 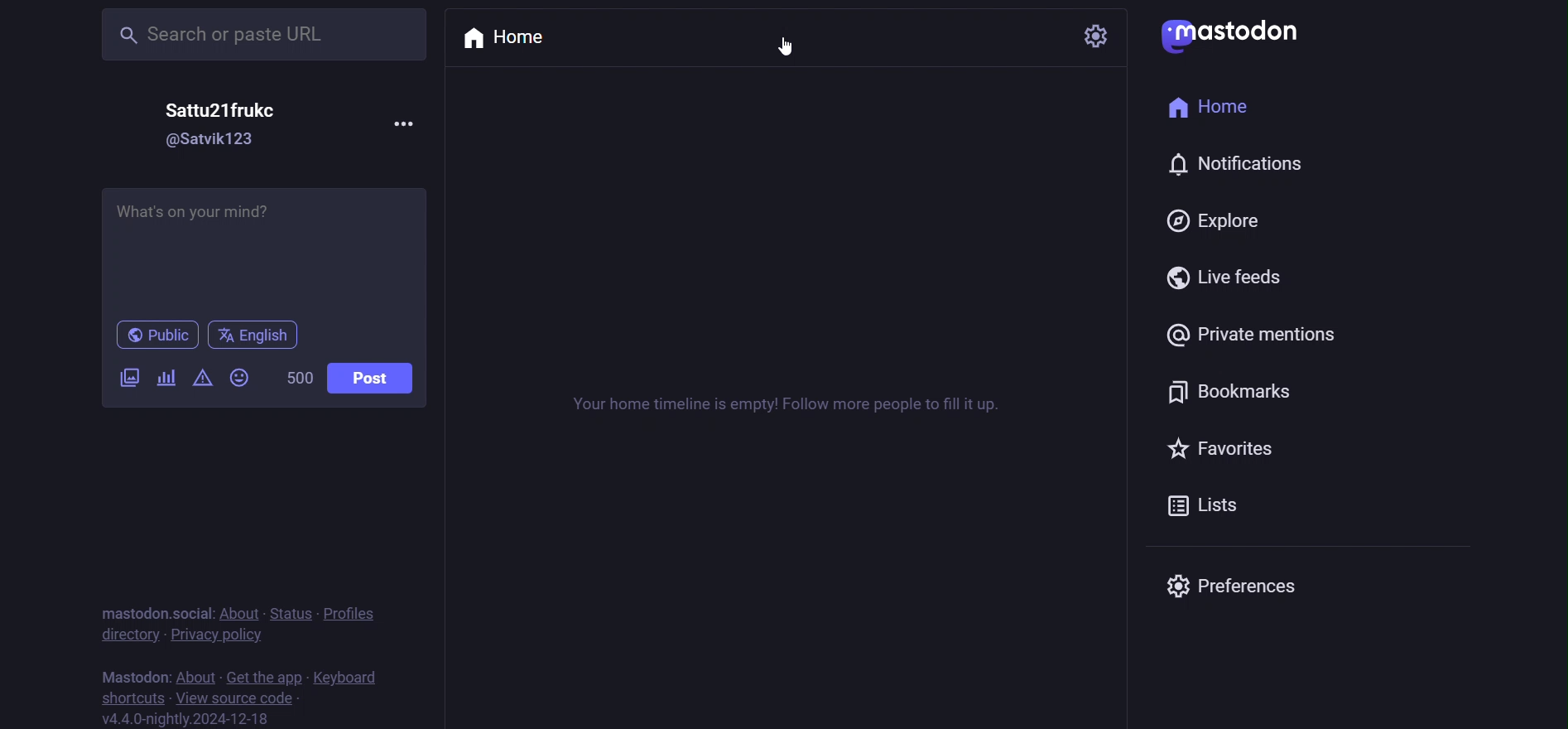 What do you see at coordinates (202, 376) in the screenshot?
I see `content warning` at bounding box center [202, 376].